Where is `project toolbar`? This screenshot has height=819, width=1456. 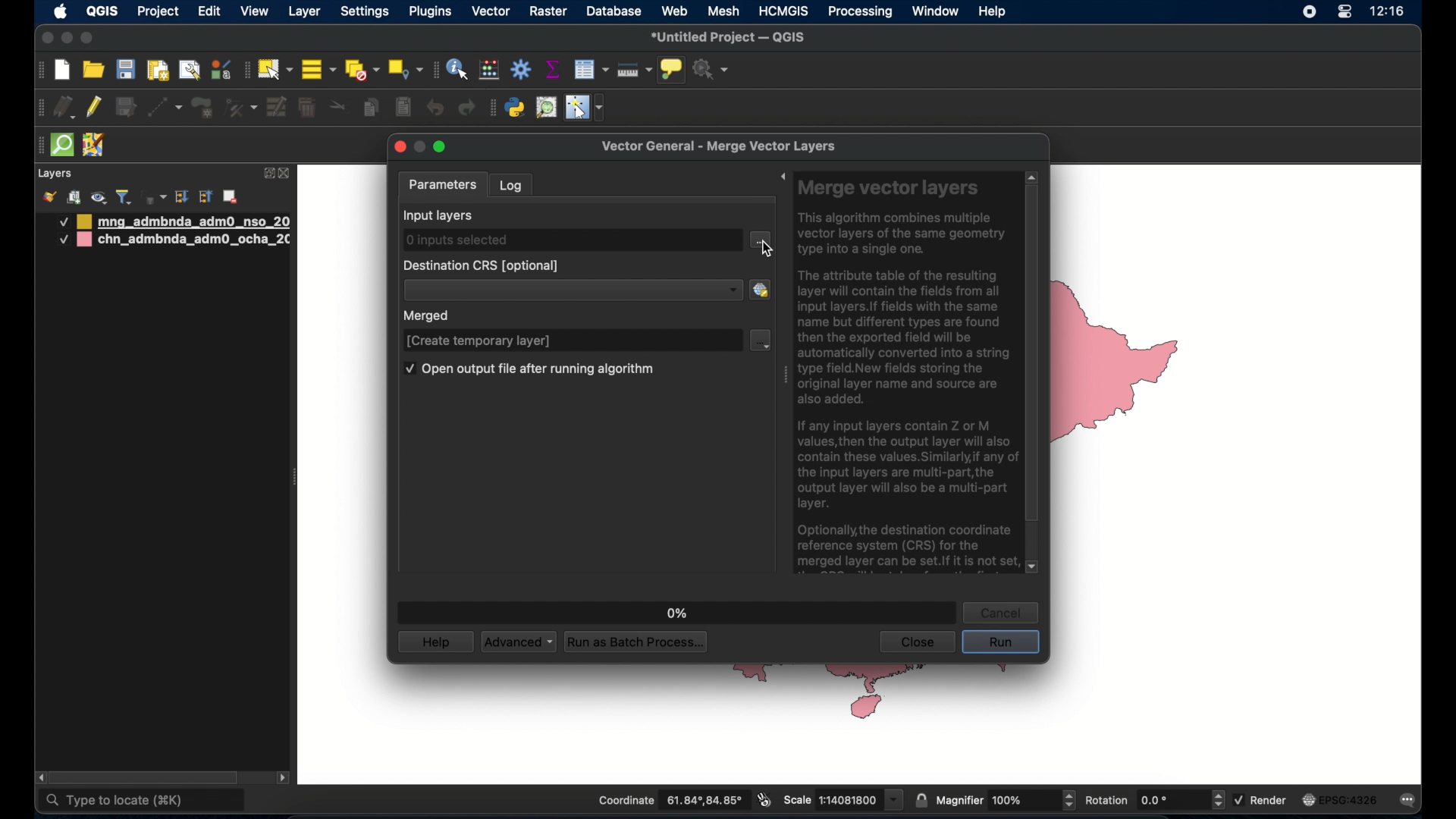 project toolbar is located at coordinates (38, 71).